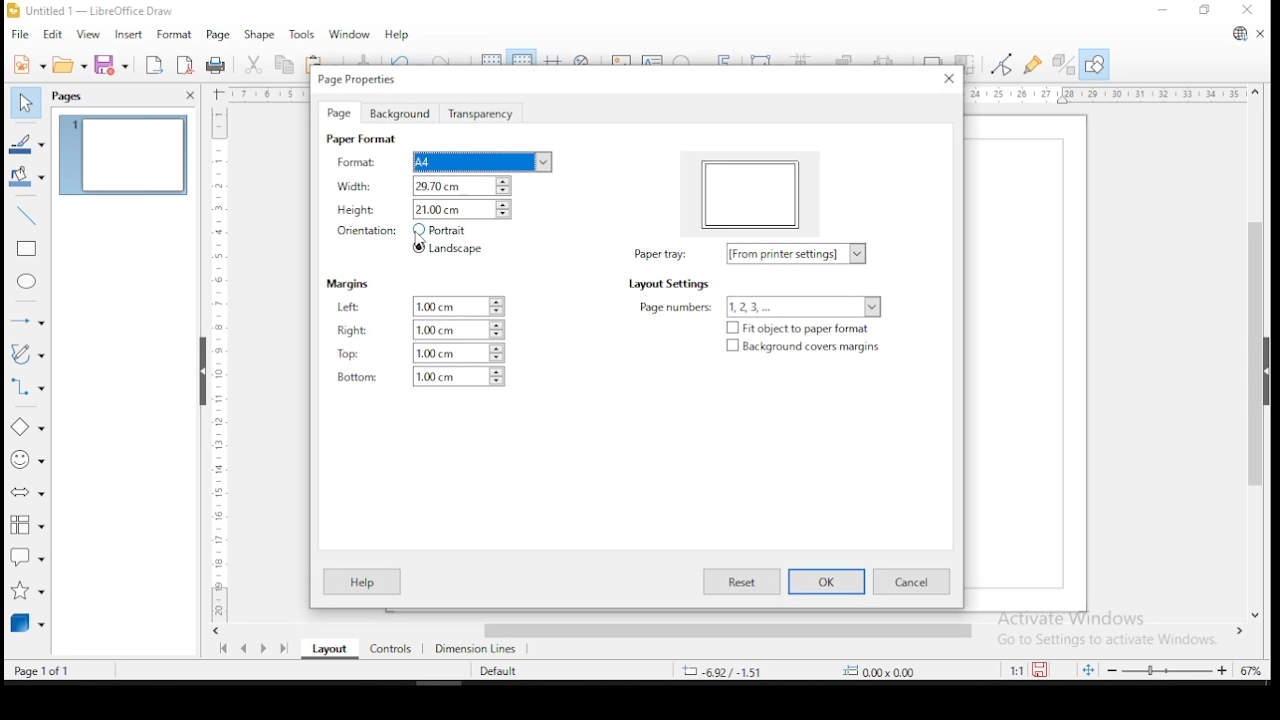 The width and height of the screenshot is (1280, 720). I want to click on pages, so click(70, 96).